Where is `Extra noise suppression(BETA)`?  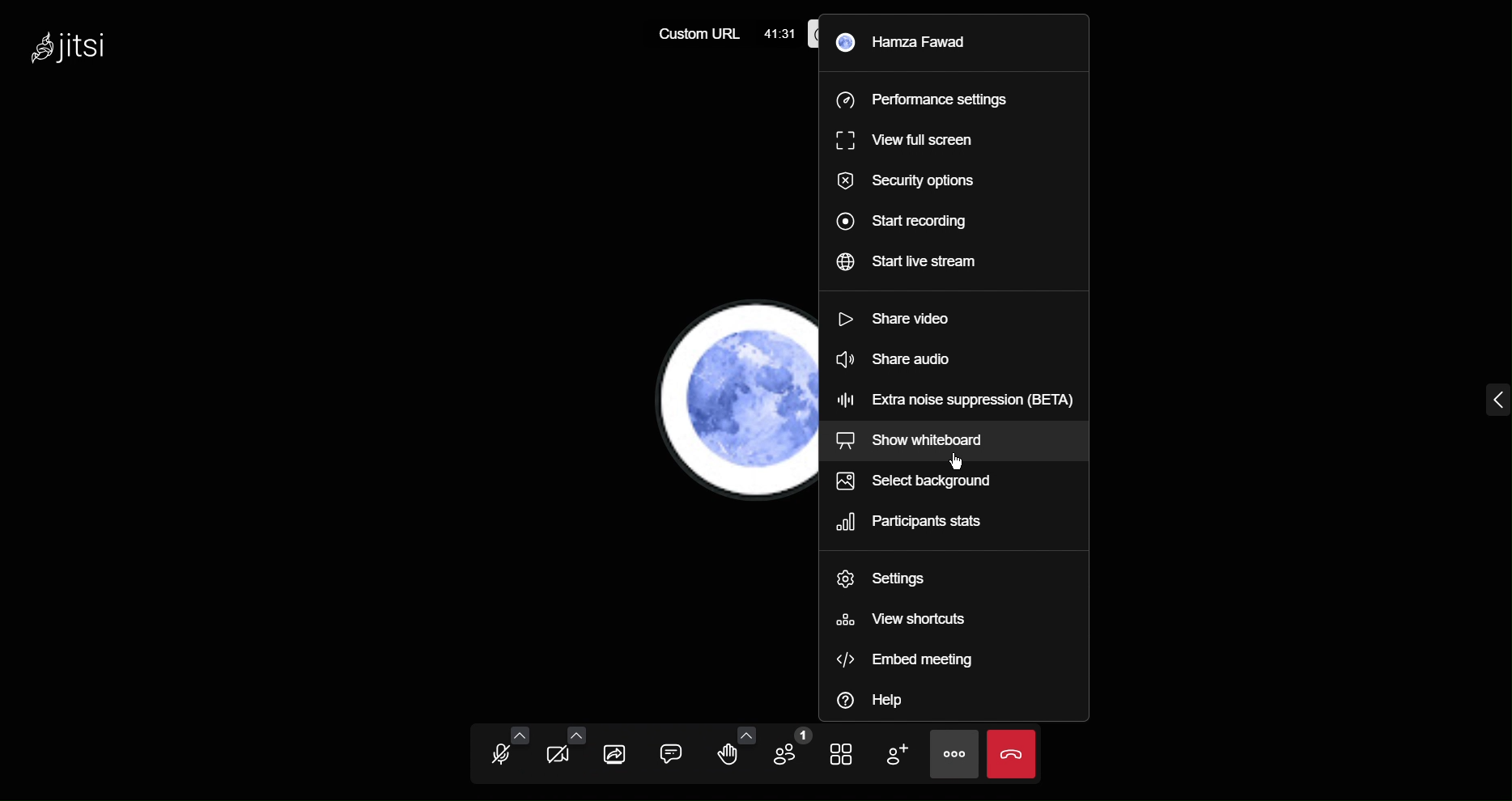
Extra noise suppression(BETA) is located at coordinates (956, 397).